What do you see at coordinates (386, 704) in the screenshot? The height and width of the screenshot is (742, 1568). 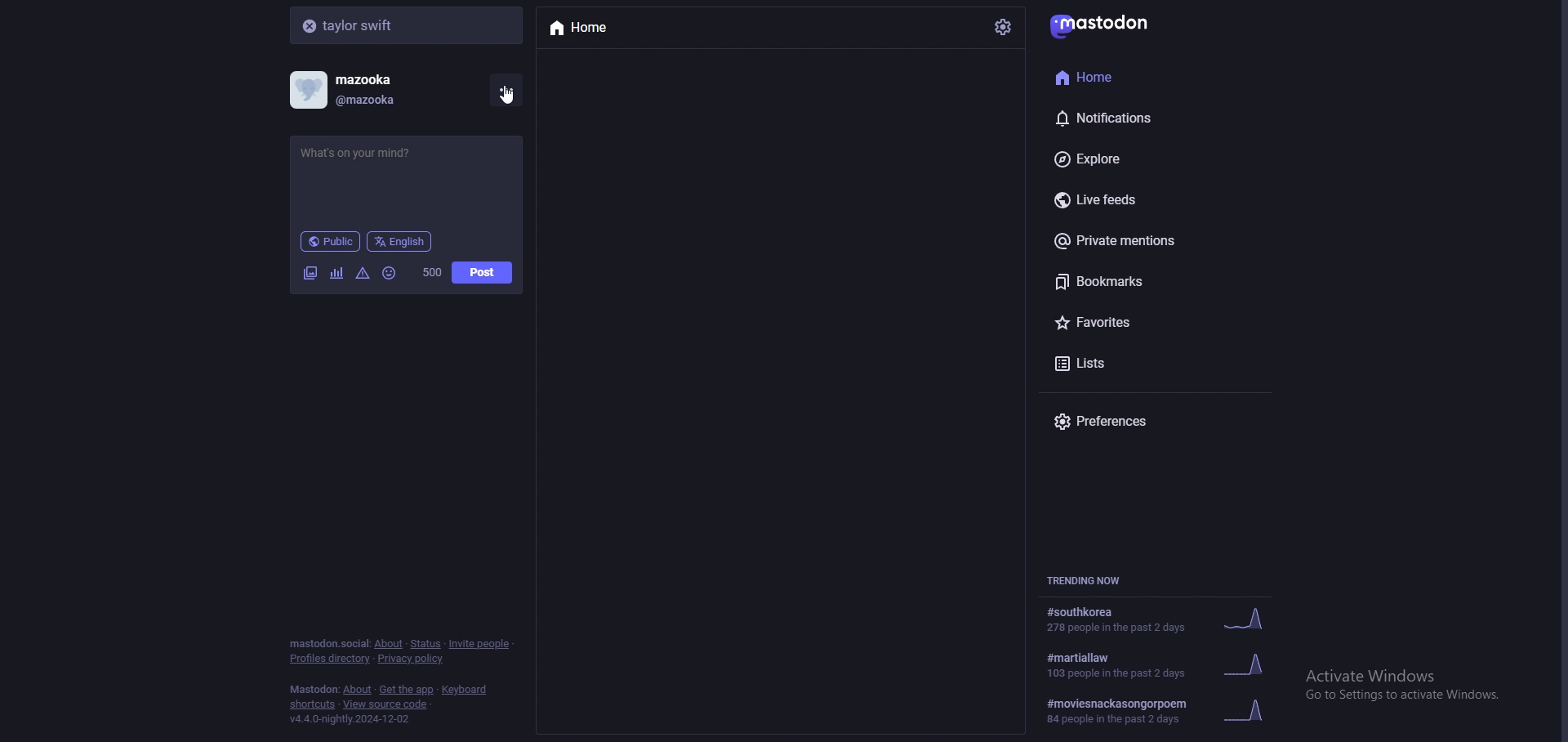 I see `view source code` at bounding box center [386, 704].